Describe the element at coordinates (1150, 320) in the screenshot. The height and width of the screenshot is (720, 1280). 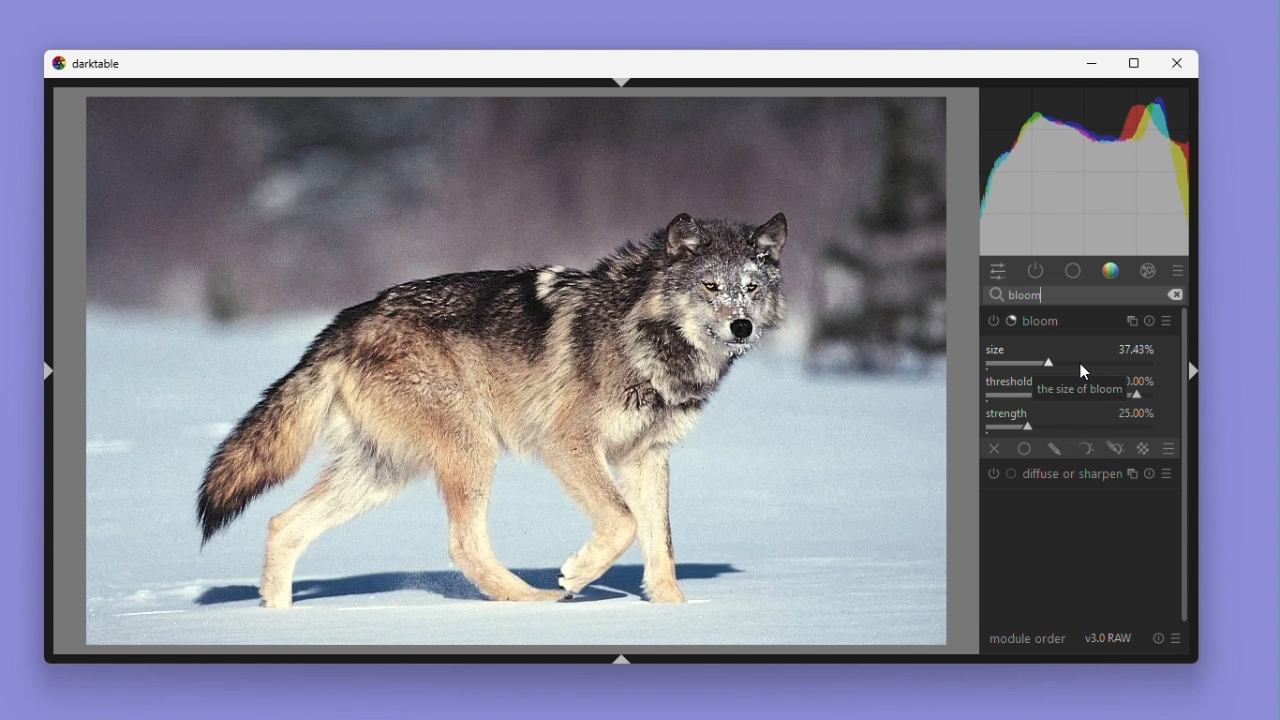
I see `Reset` at that location.